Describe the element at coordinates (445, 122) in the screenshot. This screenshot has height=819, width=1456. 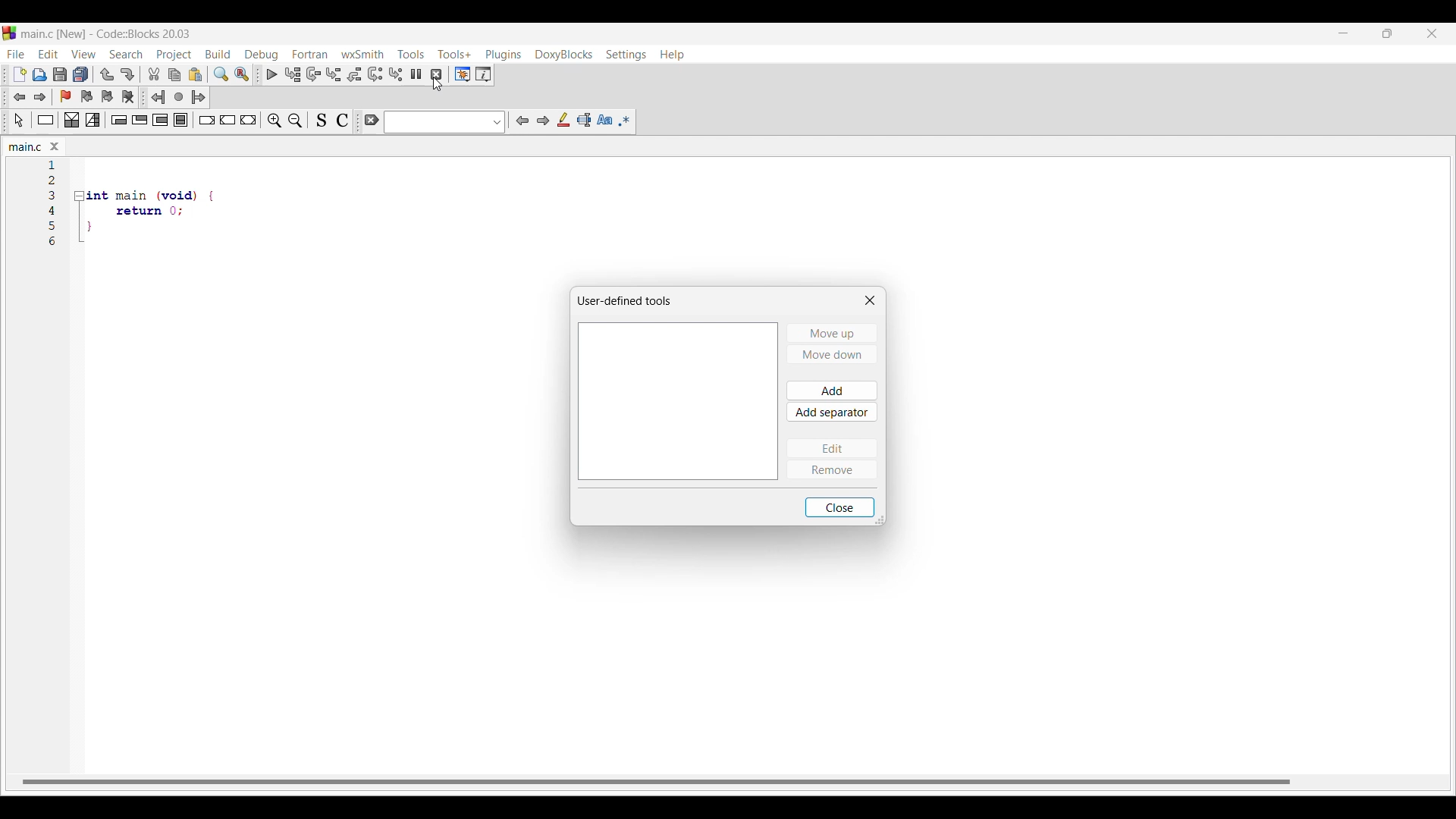
I see `Text box and text box options` at that location.